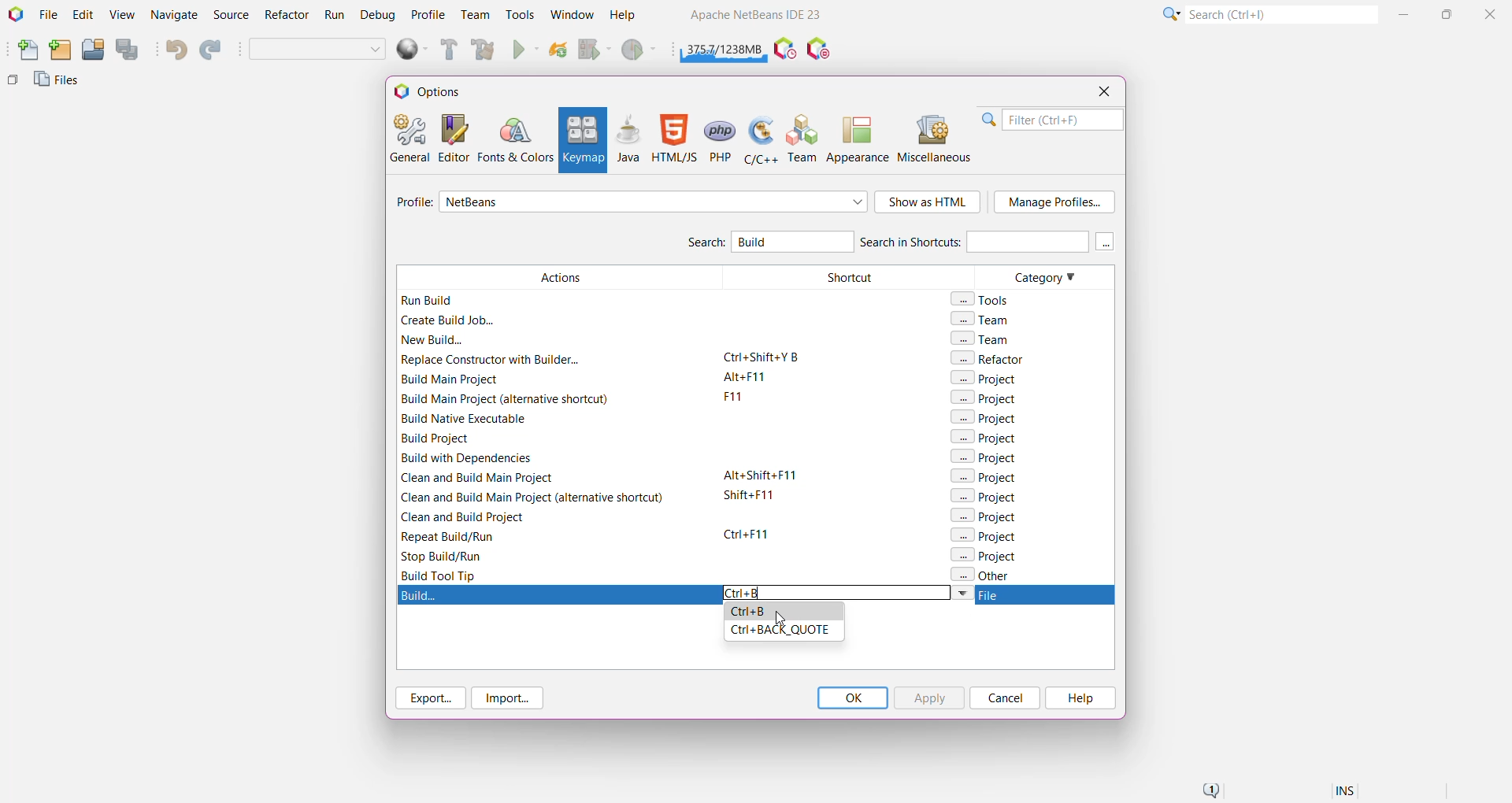 The width and height of the screenshot is (1512, 803). What do you see at coordinates (435, 91) in the screenshot?
I see `Options` at bounding box center [435, 91].